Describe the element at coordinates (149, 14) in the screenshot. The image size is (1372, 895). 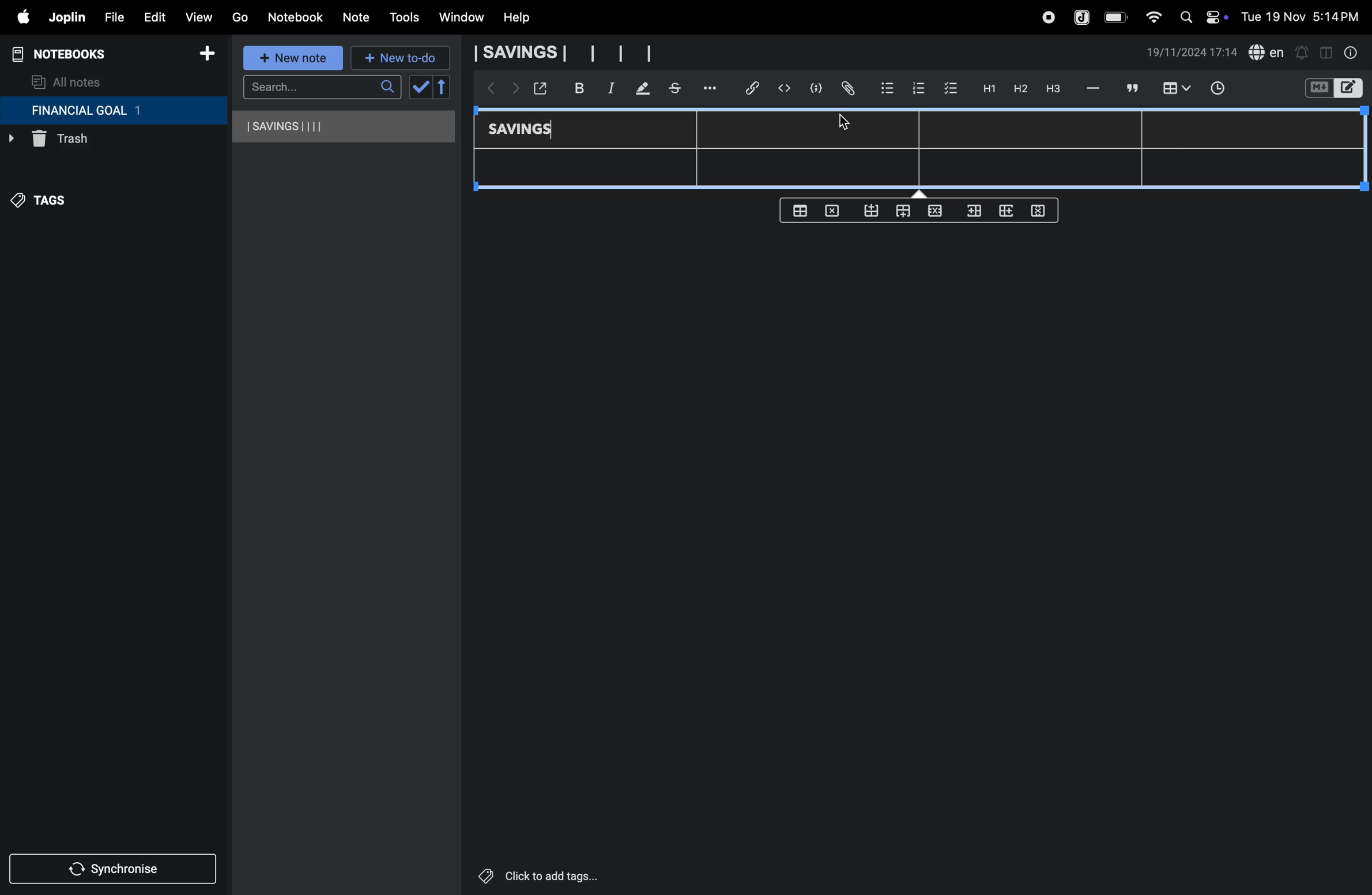
I see `edit` at that location.